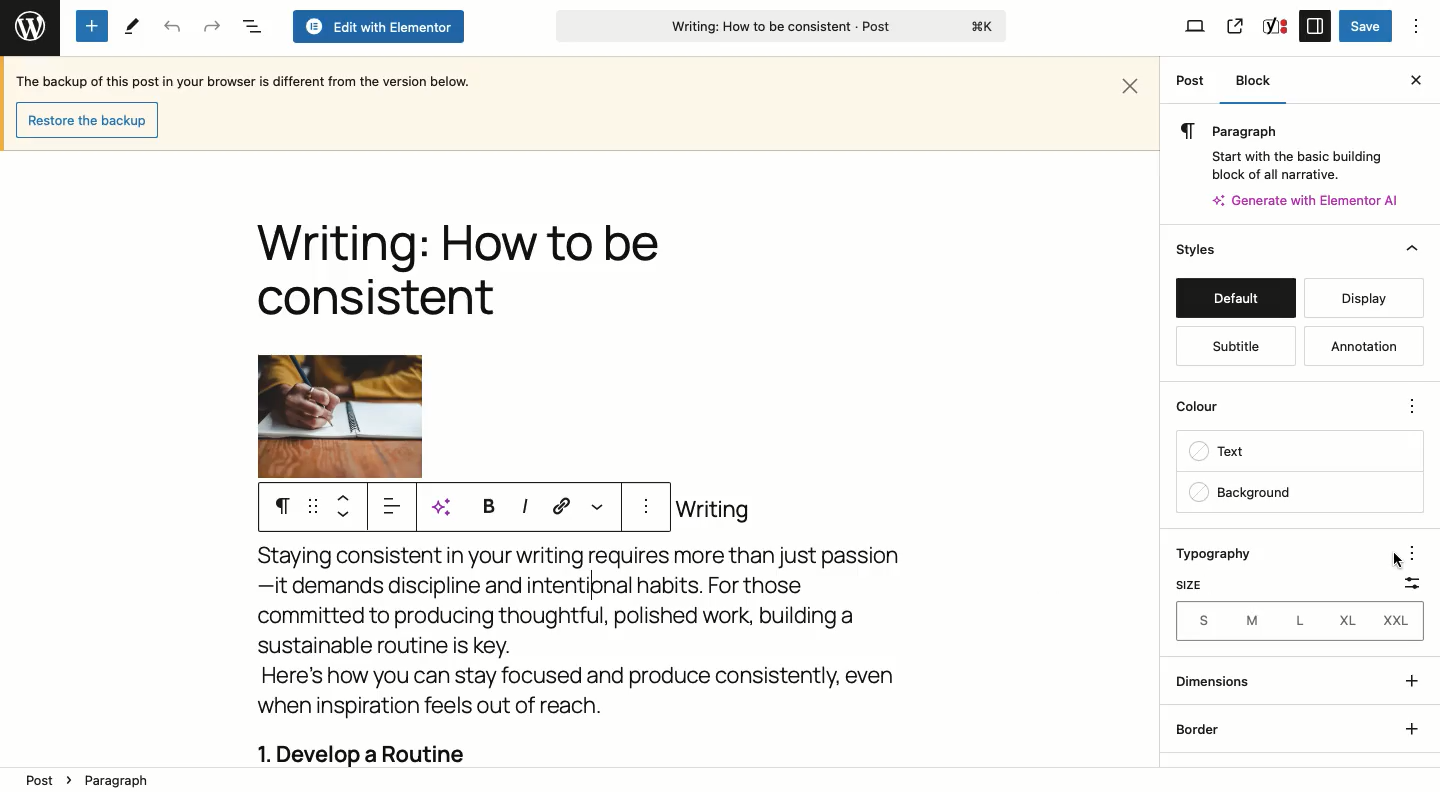 Image resolution: width=1440 pixels, height=792 pixels. Describe the element at coordinates (1235, 298) in the screenshot. I see `Default` at that location.